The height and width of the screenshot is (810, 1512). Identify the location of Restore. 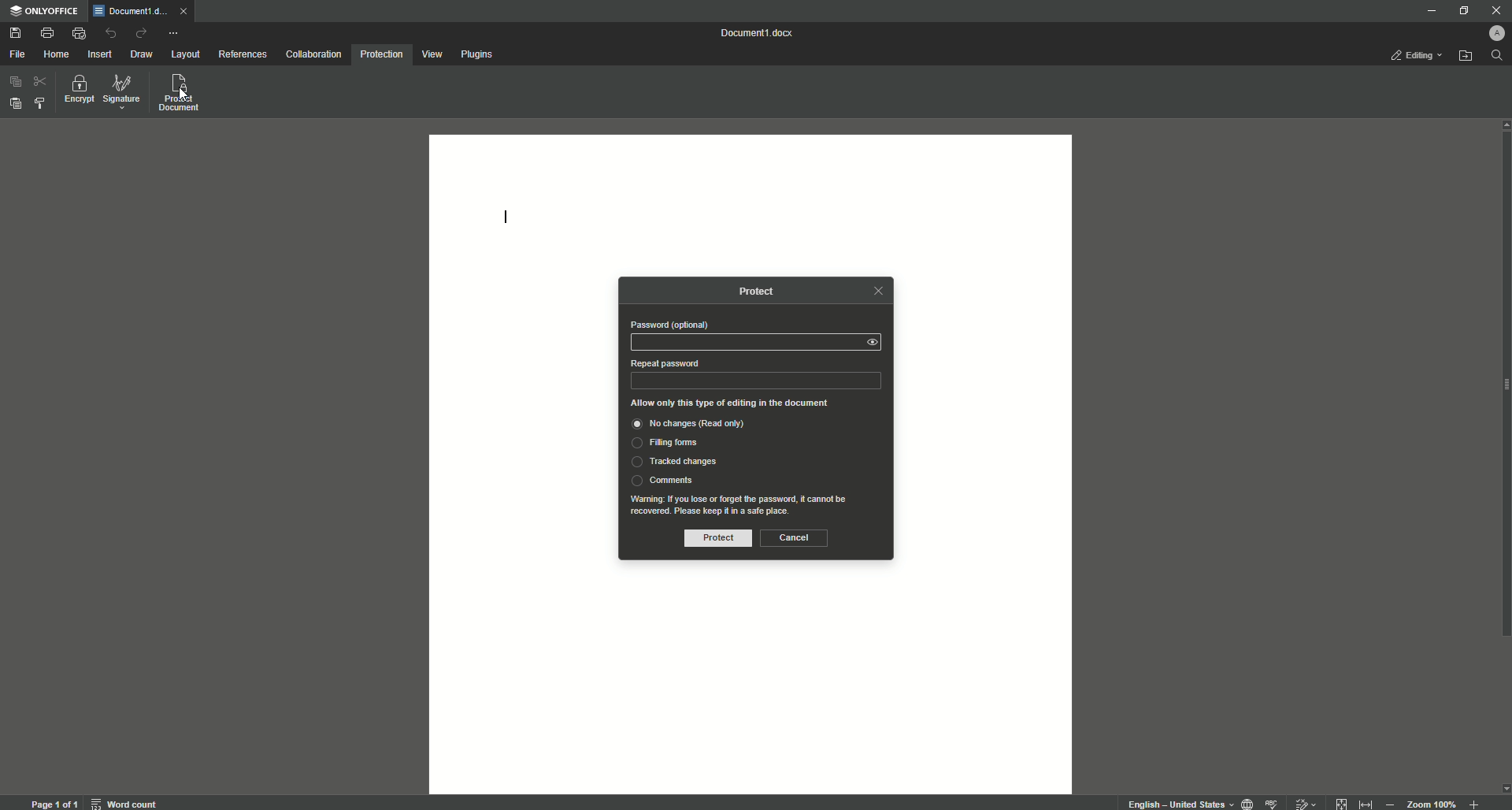
(1461, 10).